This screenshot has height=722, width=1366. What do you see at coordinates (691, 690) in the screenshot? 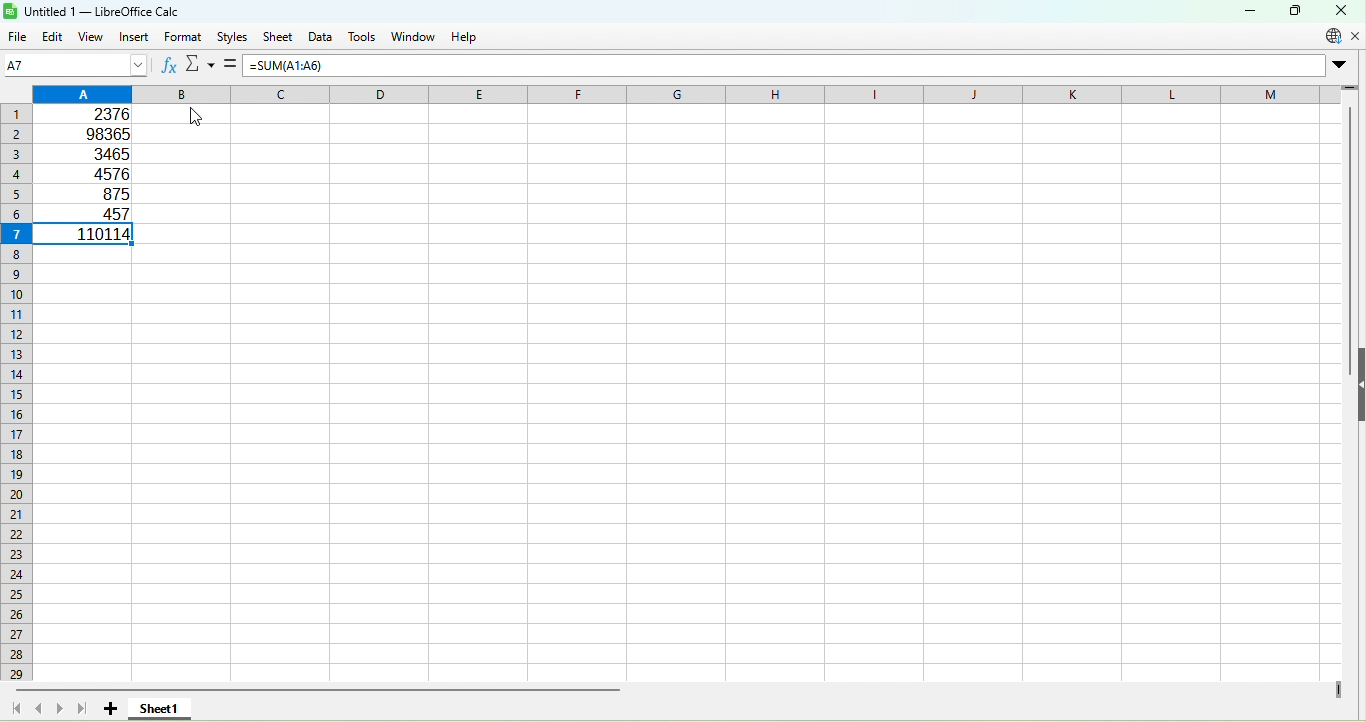
I see `Horizontal scroll bar` at bounding box center [691, 690].